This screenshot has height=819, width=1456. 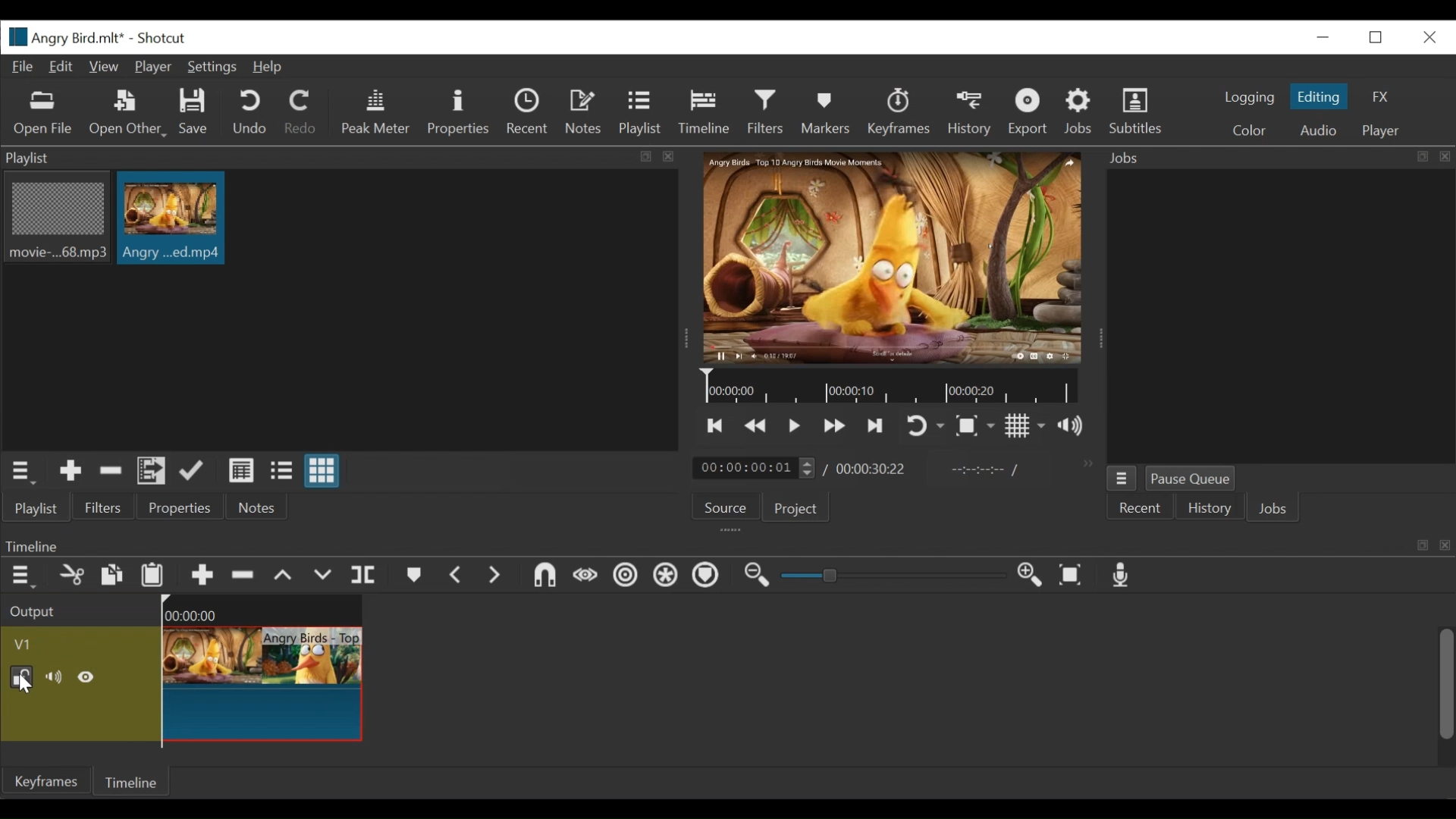 I want to click on Hide, so click(x=87, y=678).